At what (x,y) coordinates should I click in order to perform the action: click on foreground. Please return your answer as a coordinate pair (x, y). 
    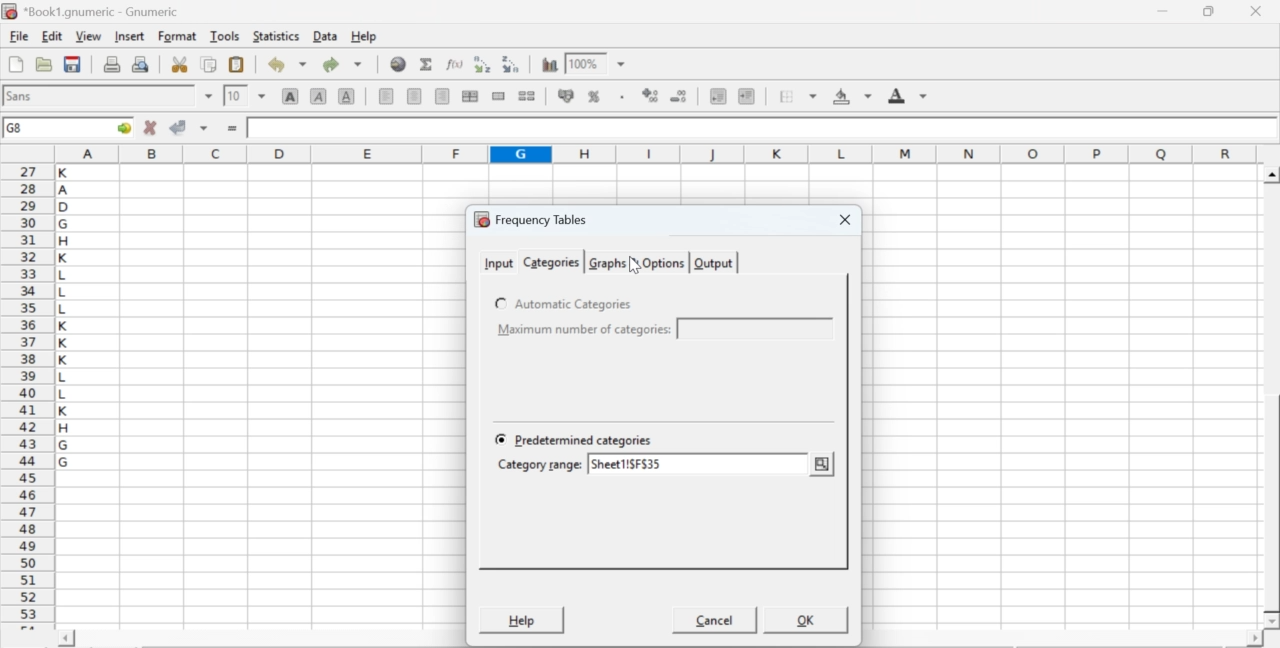
    Looking at the image, I should click on (908, 95).